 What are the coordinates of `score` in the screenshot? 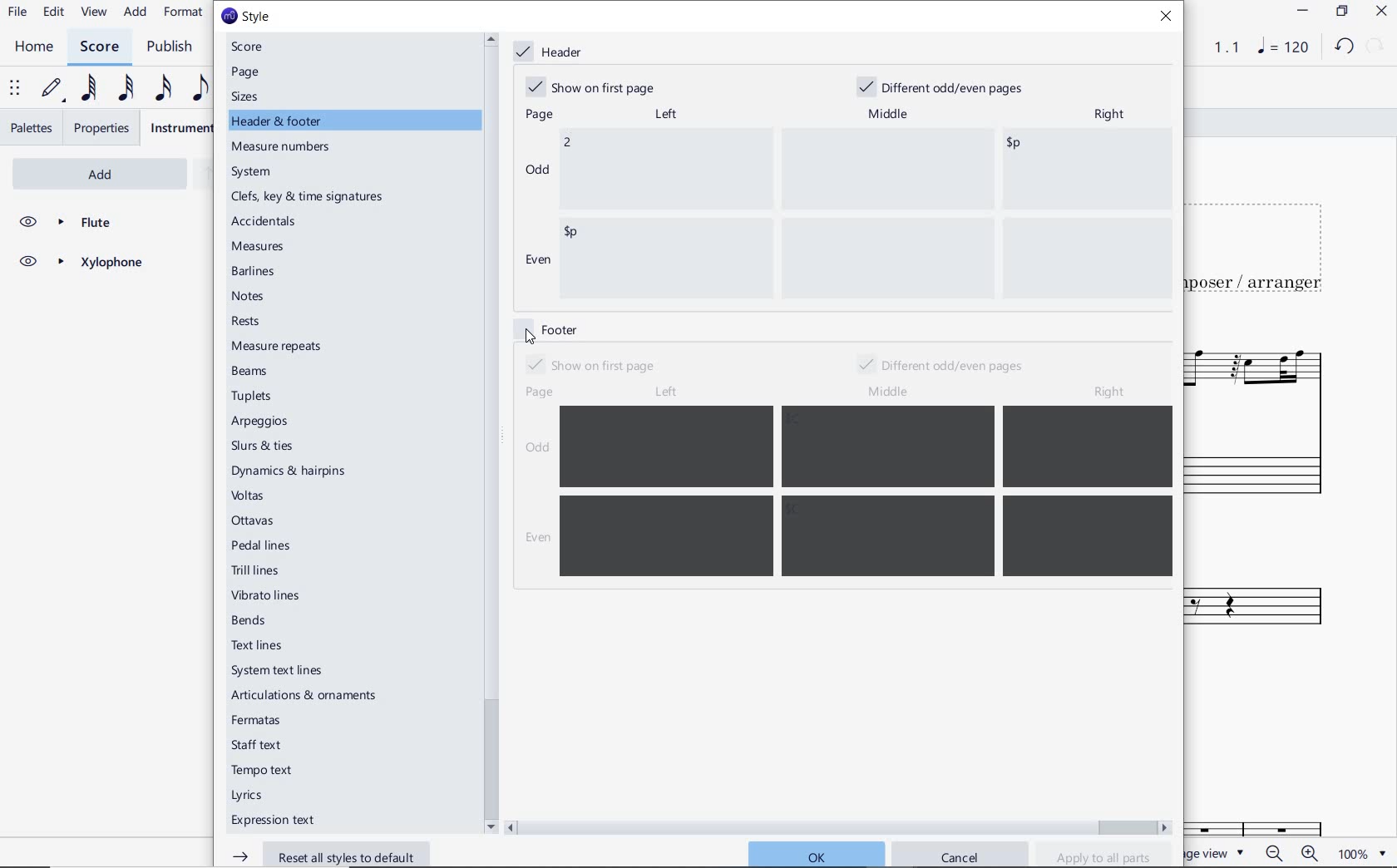 It's located at (254, 47).